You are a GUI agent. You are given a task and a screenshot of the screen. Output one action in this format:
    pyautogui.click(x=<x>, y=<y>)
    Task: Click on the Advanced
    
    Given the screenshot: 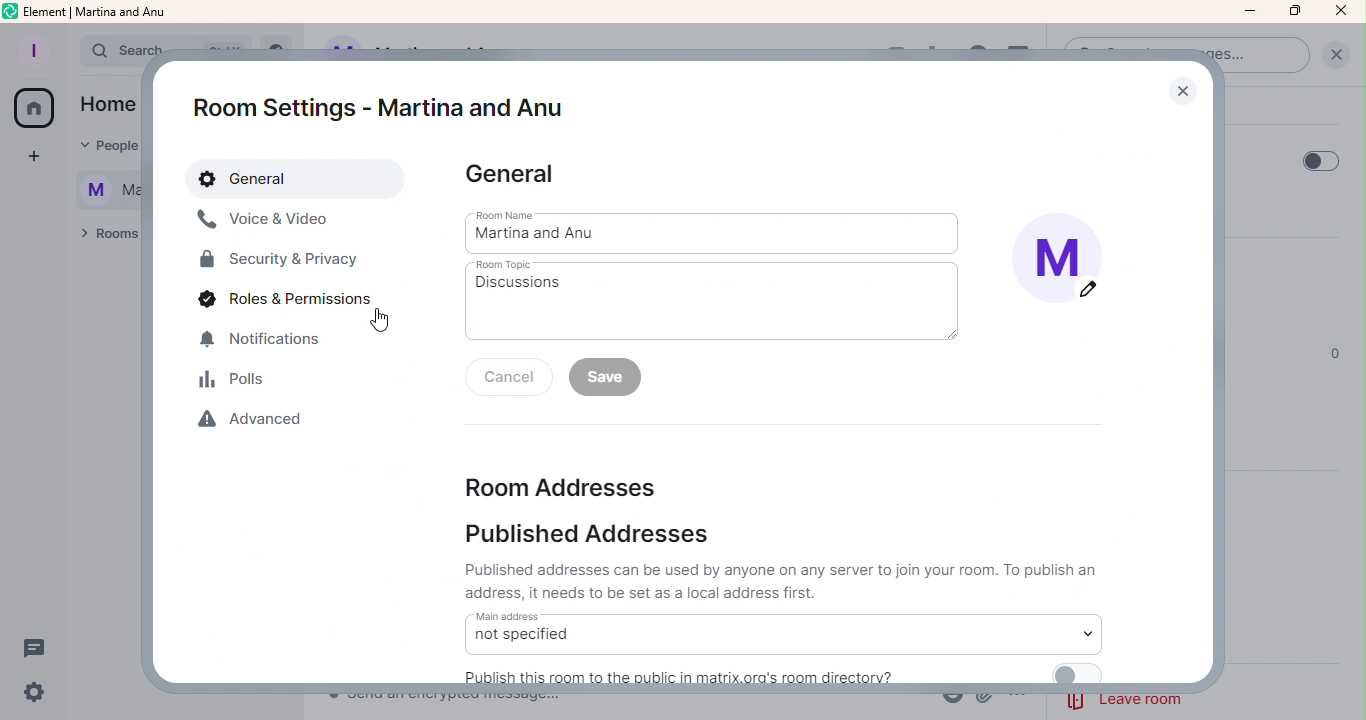 What is the action you would take?
    pyautogui.click(x=259, y=424)
    